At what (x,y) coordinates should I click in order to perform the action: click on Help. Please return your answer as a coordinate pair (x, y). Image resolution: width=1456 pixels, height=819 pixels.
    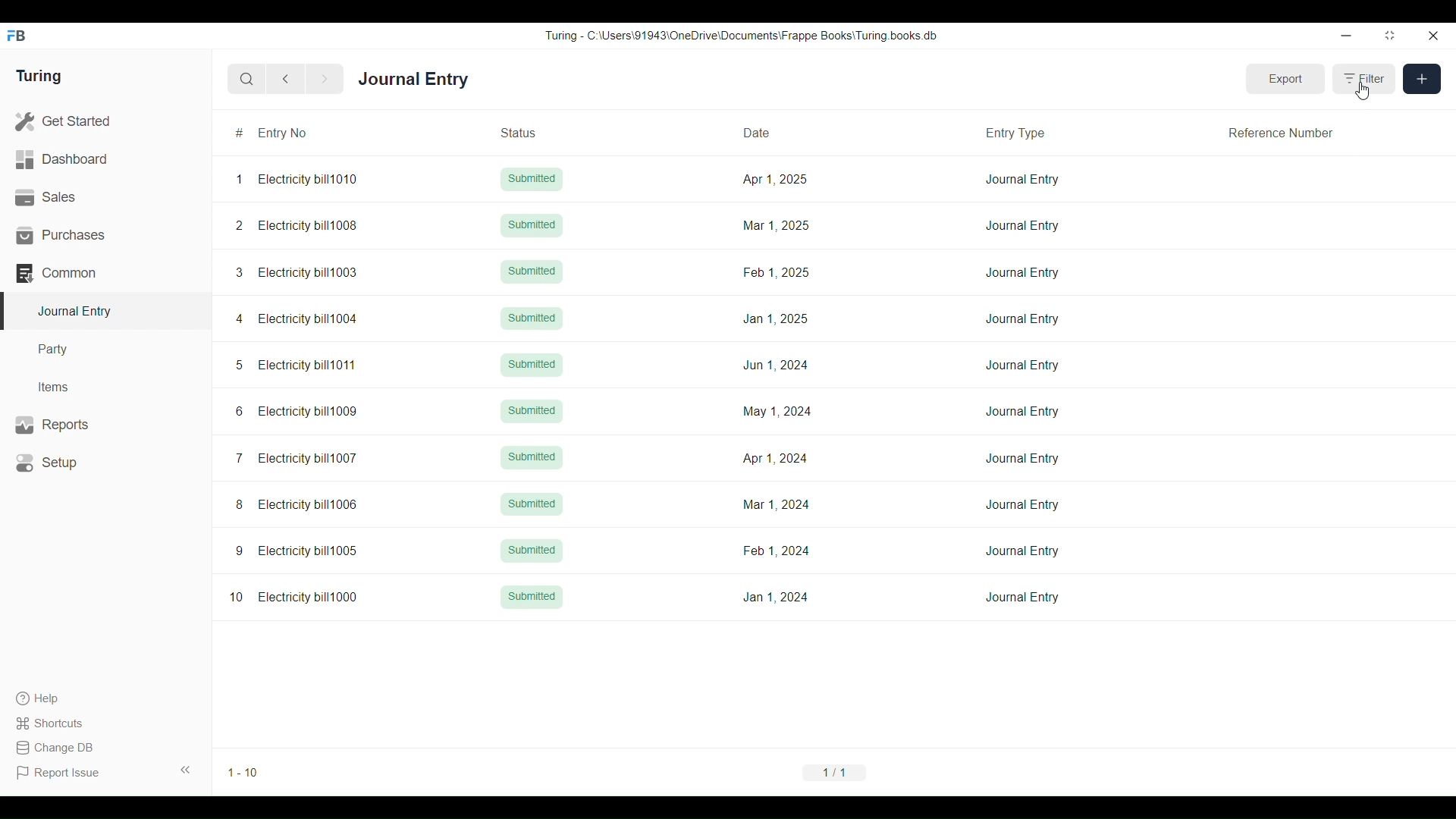
    Looking at the image, I should click on (57, 698).